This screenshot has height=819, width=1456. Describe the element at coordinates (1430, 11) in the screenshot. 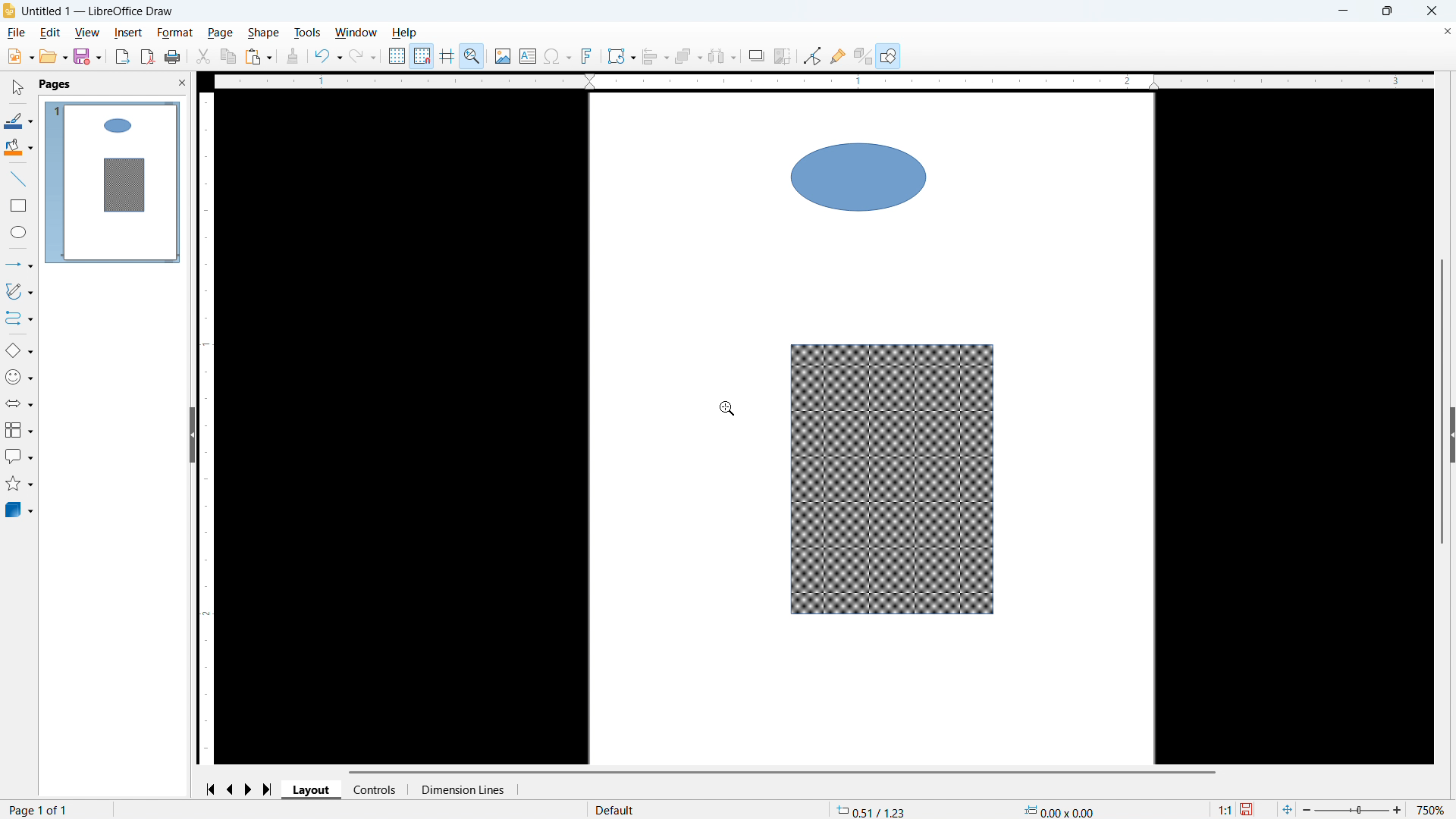

I see `close ` at that location.